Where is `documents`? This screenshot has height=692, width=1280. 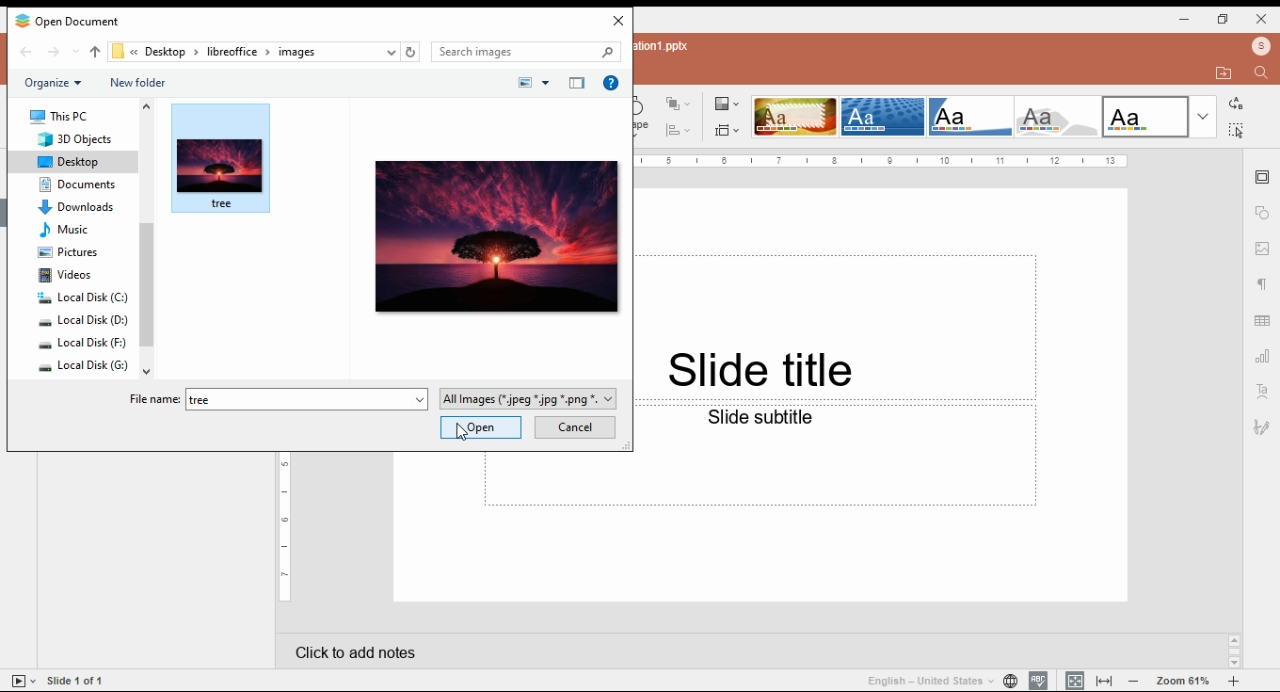 documents is located at coordinates (80, 184).